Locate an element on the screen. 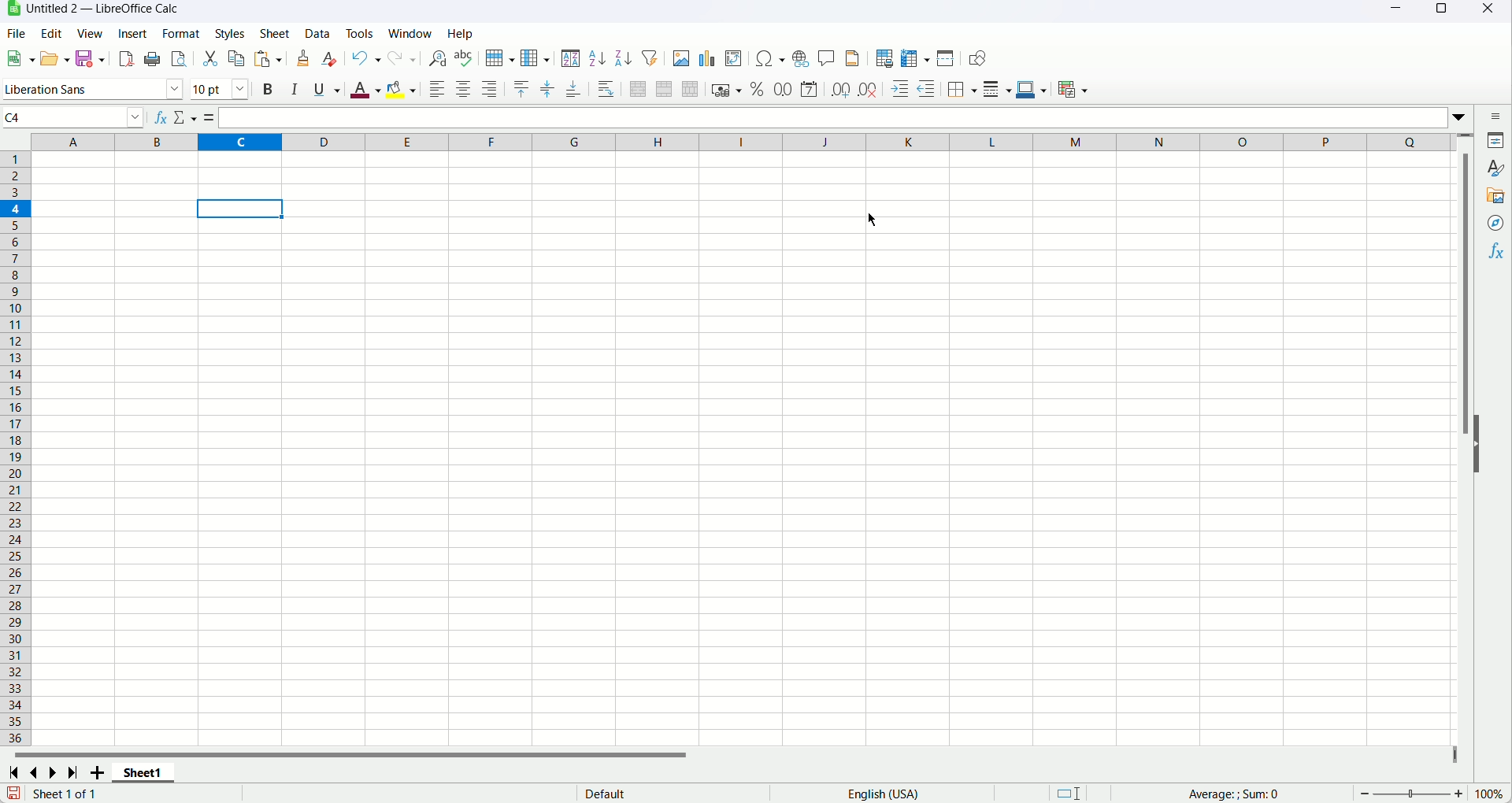 The width and height of the screenshot is (1512, 803). Zoom factor is located at coordinates (1492, 795).